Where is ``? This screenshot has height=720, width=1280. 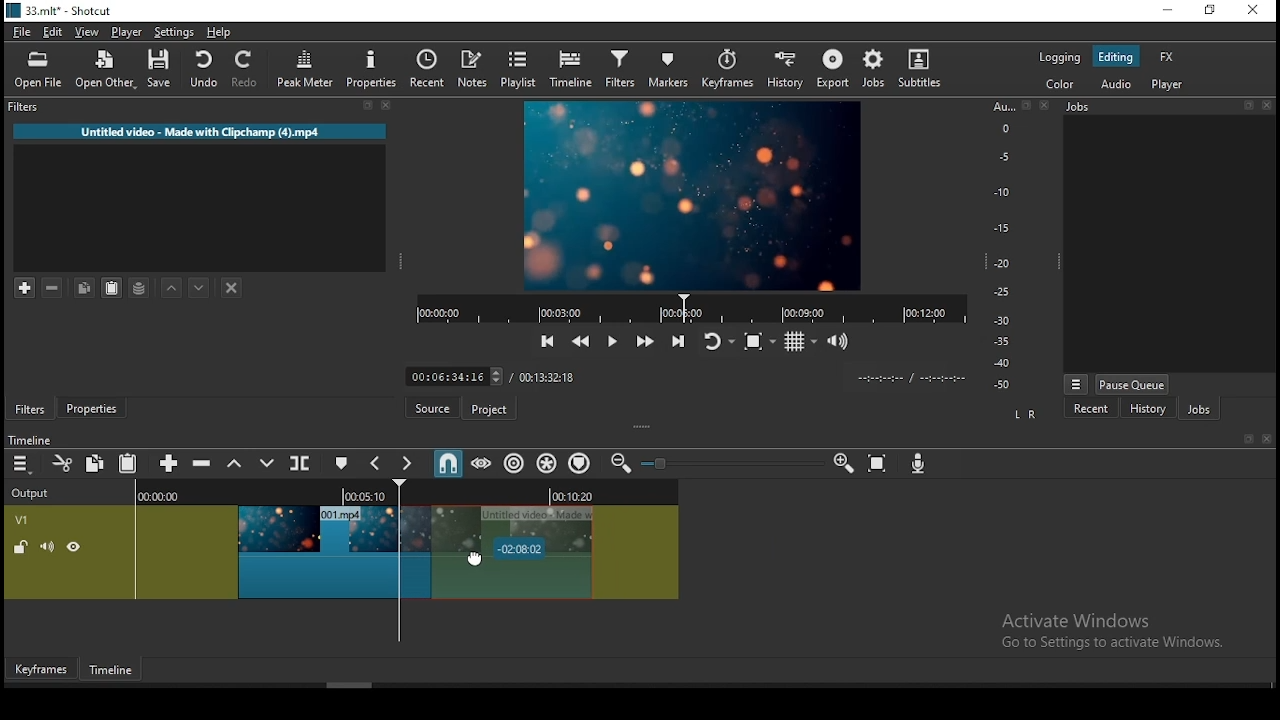
 is located at coordinates (1043, 106).